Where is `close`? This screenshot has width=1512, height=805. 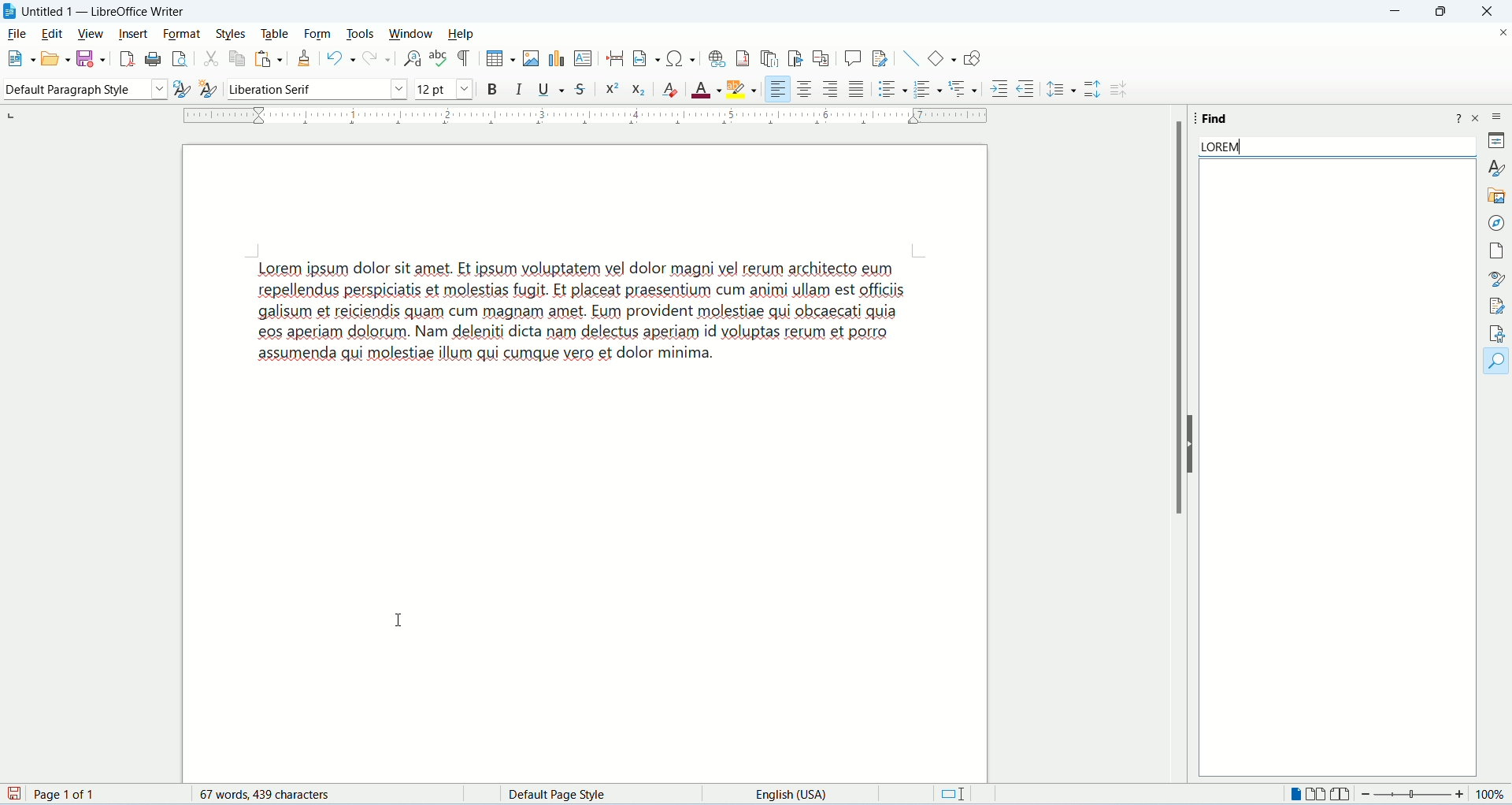 close is located at coordinates (1487, 13).